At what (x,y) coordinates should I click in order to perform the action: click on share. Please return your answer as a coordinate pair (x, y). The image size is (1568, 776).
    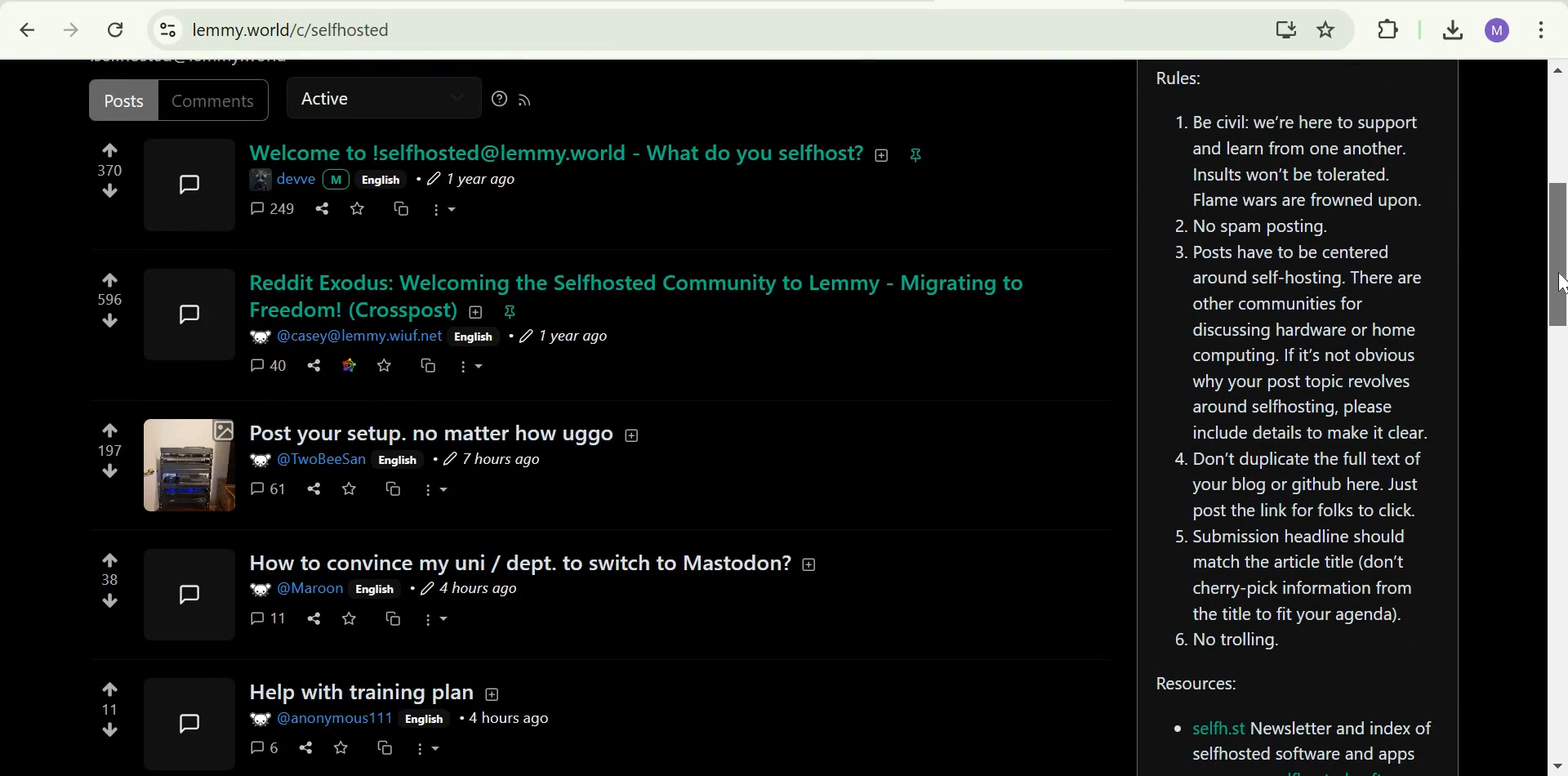
    Looking at the image, I should click on (314, 488).